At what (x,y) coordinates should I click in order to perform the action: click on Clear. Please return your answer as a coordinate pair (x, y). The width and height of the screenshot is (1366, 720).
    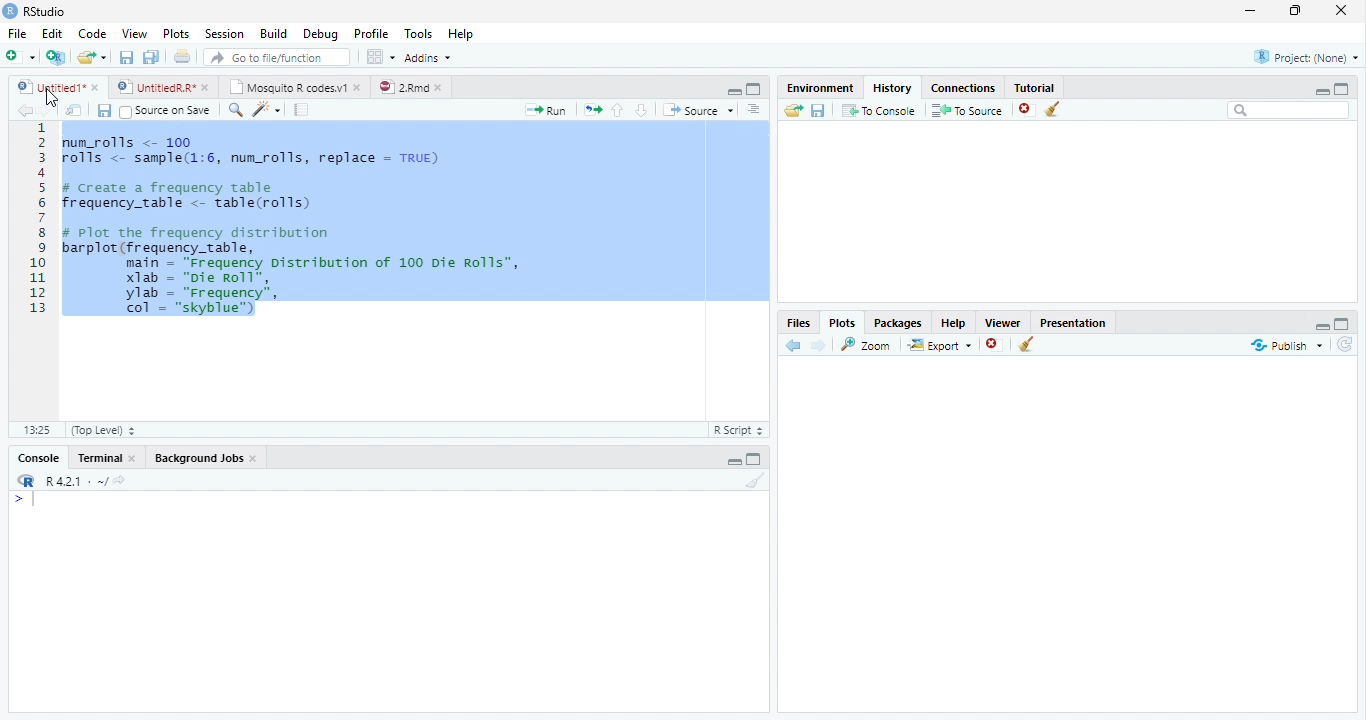
    Looking at the image, I should click on (1026, 344).